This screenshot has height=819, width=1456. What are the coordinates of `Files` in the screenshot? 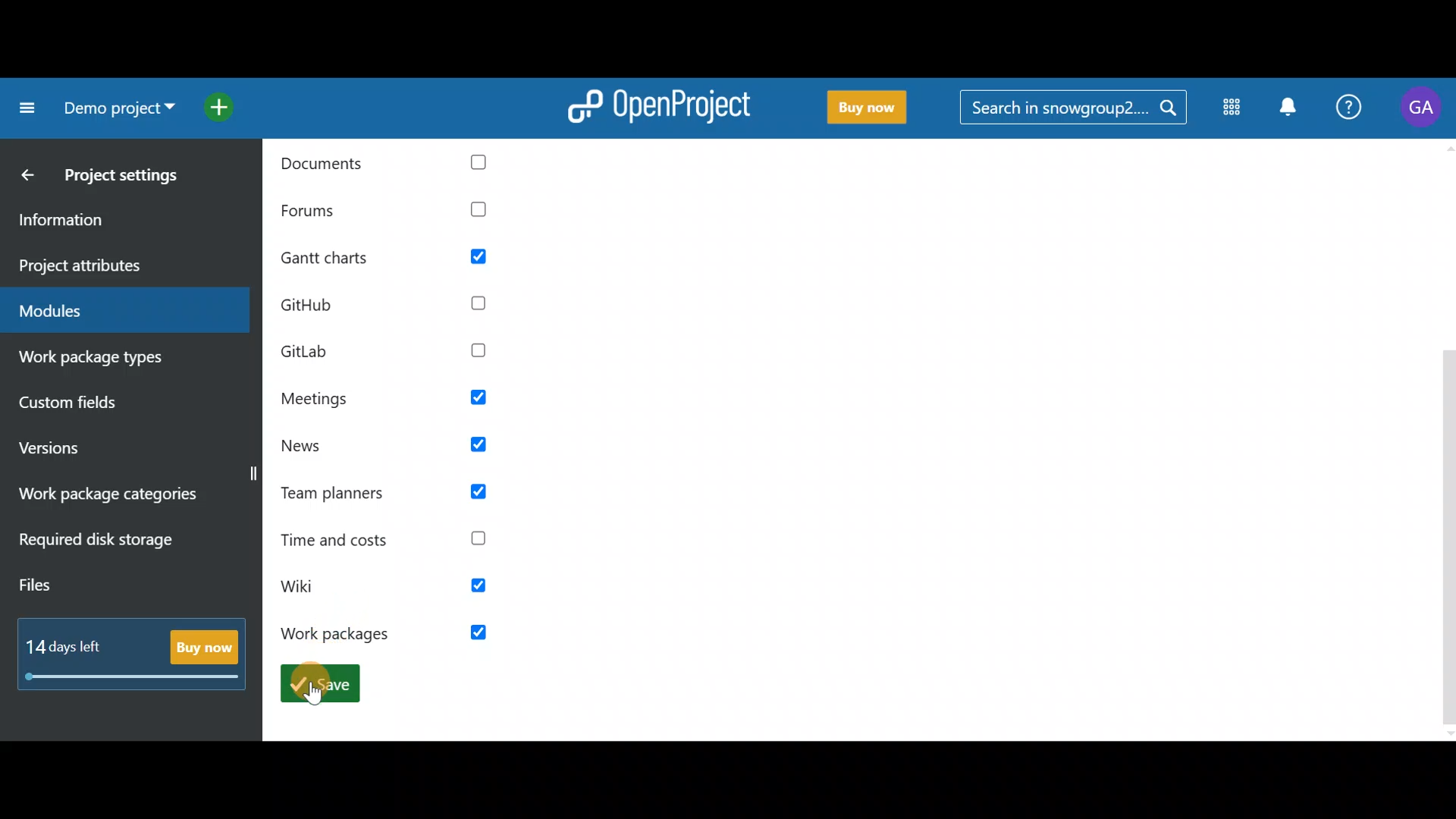 It's located at (79, 588).